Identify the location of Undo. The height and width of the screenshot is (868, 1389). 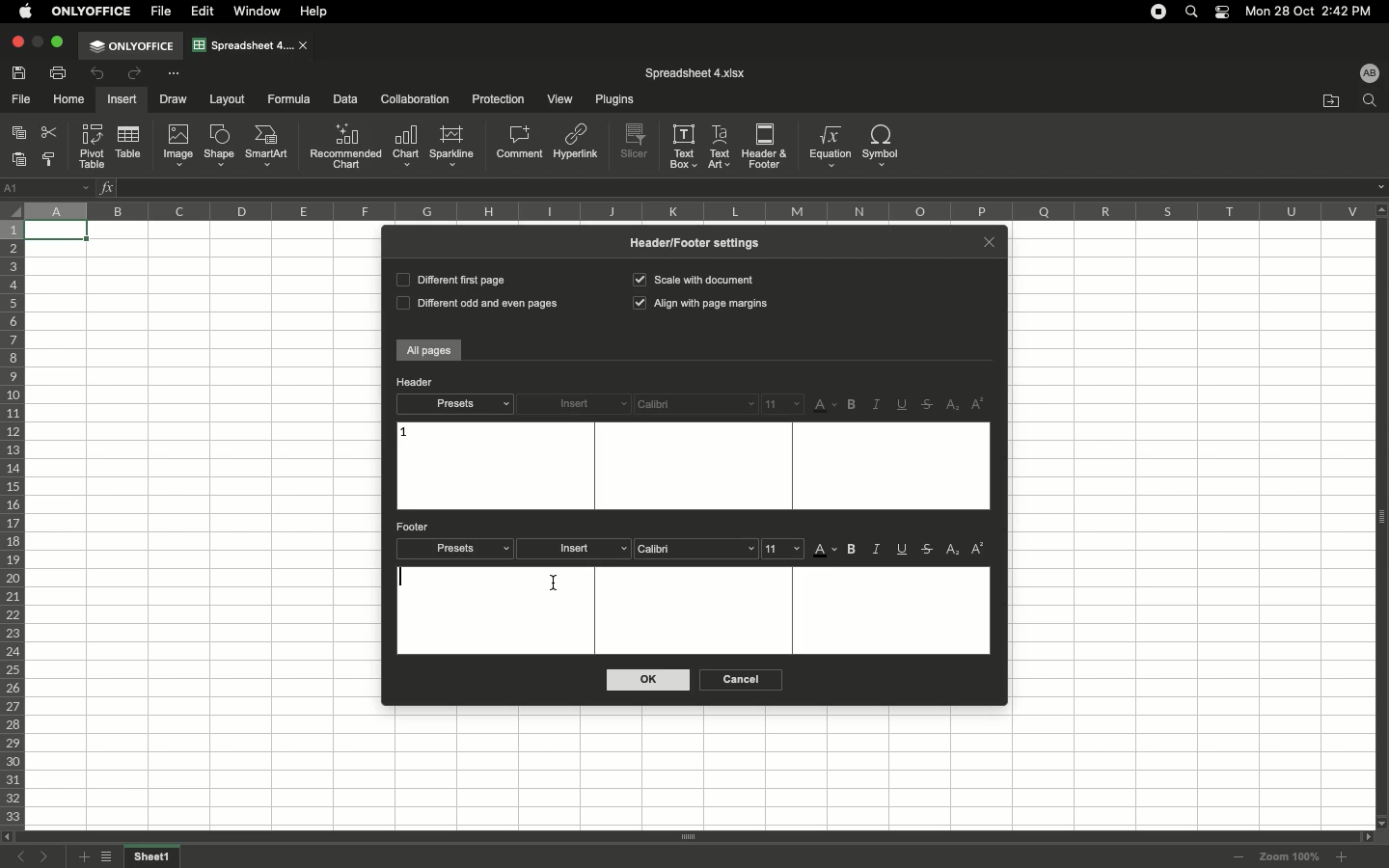
(99, 75).